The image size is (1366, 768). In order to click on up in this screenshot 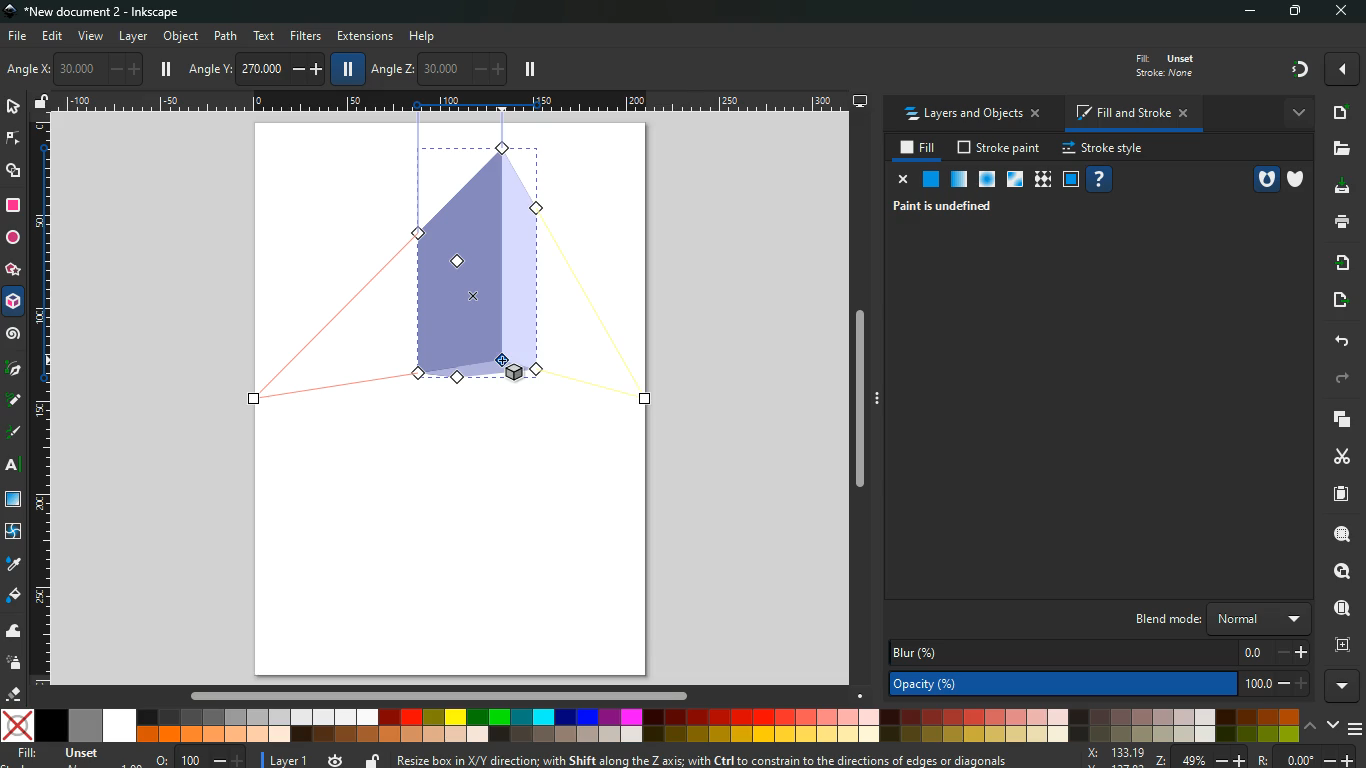, I will do `click(1311, 728)`.